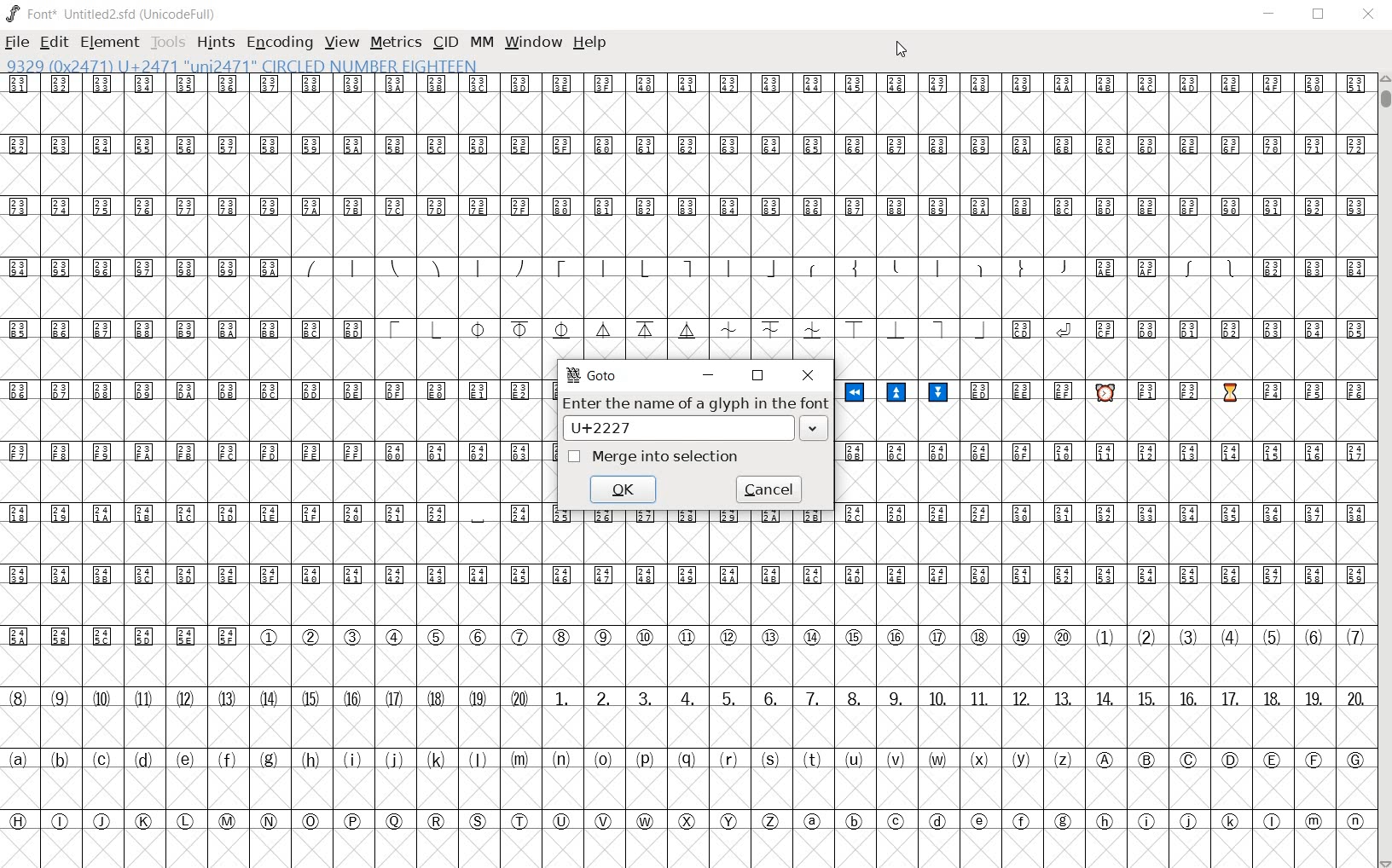  What do you see at coordinates (245, 67) in the screenshot?
I see `9329 (0x2471) U+2471 "uni2471" CIRCLED NUMBER EIGHTEEN` at bounding box center [245, 67].